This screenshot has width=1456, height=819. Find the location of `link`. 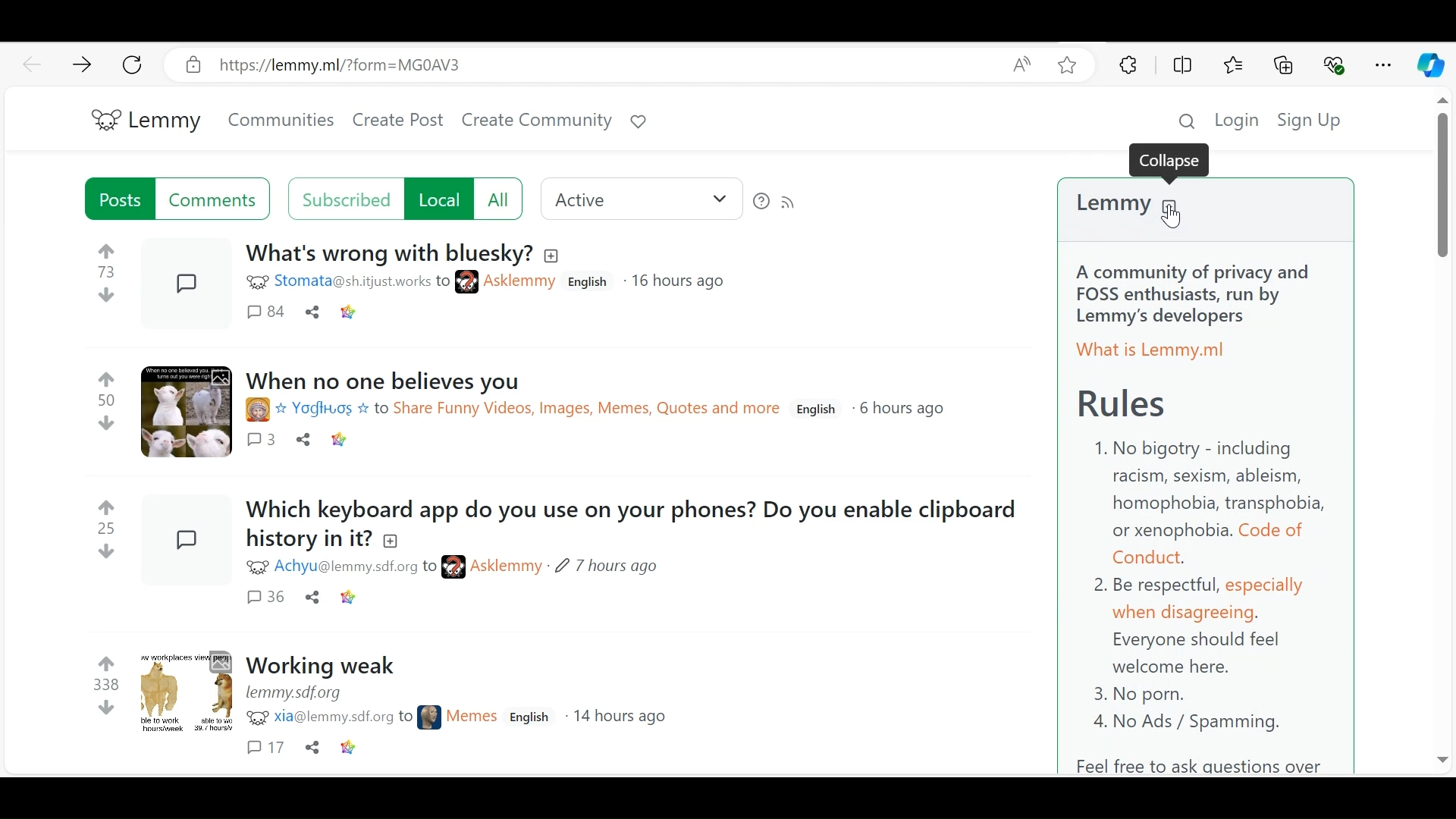

link is located at coordinates (343, 441).